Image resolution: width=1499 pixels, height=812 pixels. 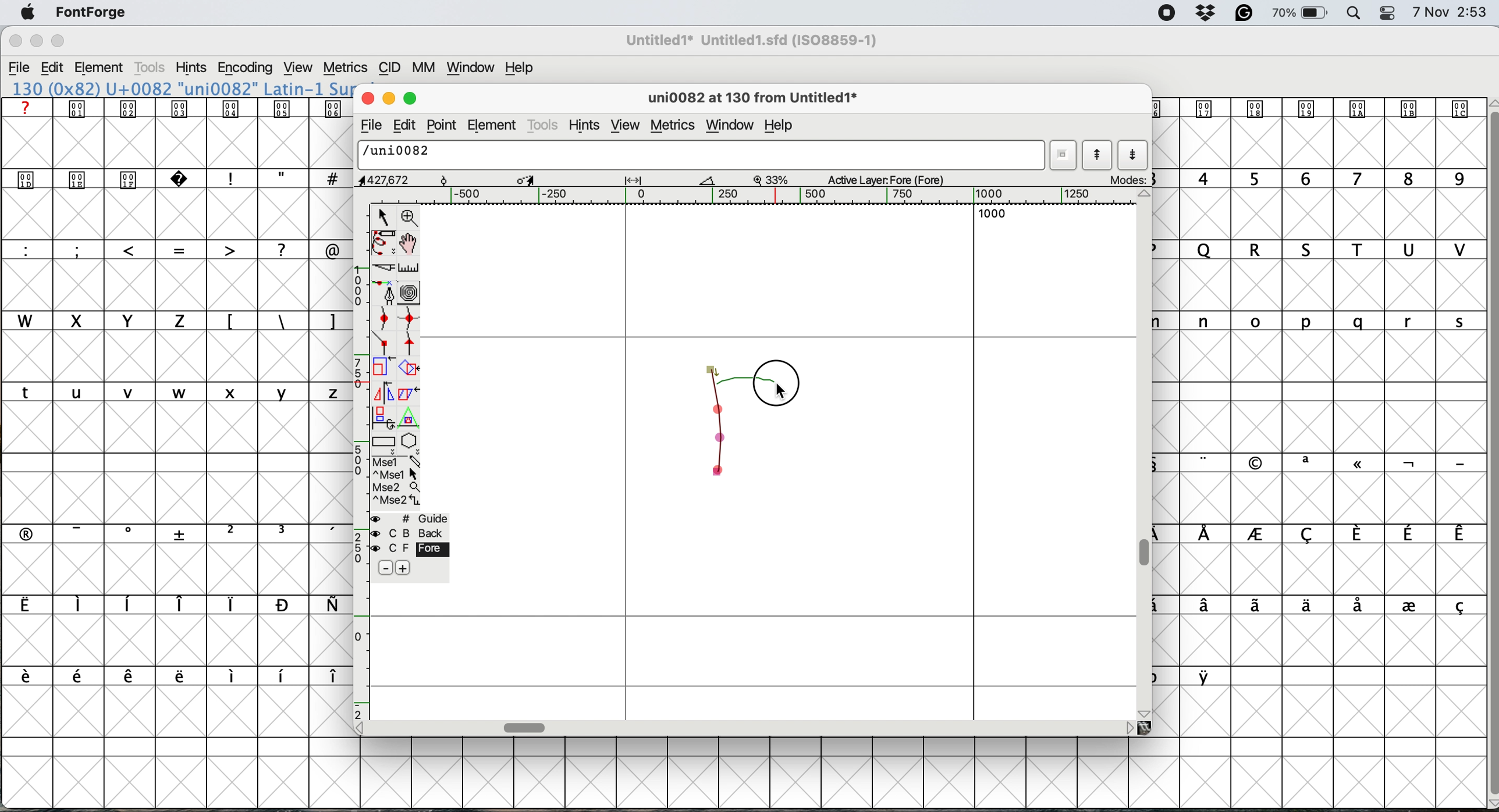 What do you see at coordinates (1166, 15) in the screenshot?
I see `screen recorder` at bounding box center [1166, 15].